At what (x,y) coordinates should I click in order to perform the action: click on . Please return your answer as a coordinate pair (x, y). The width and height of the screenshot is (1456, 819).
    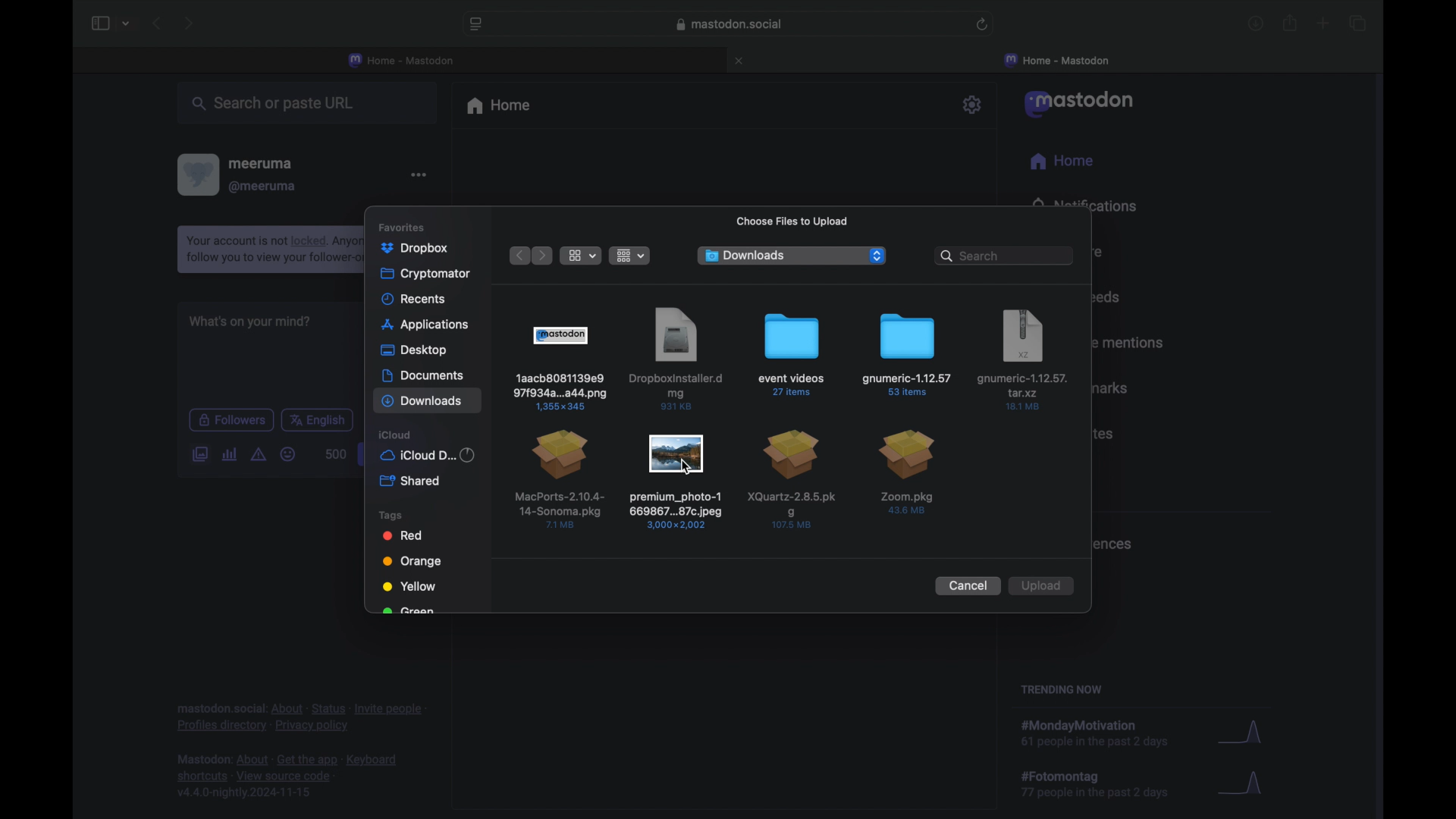
    Looking at the image, I should click on (424, 275).